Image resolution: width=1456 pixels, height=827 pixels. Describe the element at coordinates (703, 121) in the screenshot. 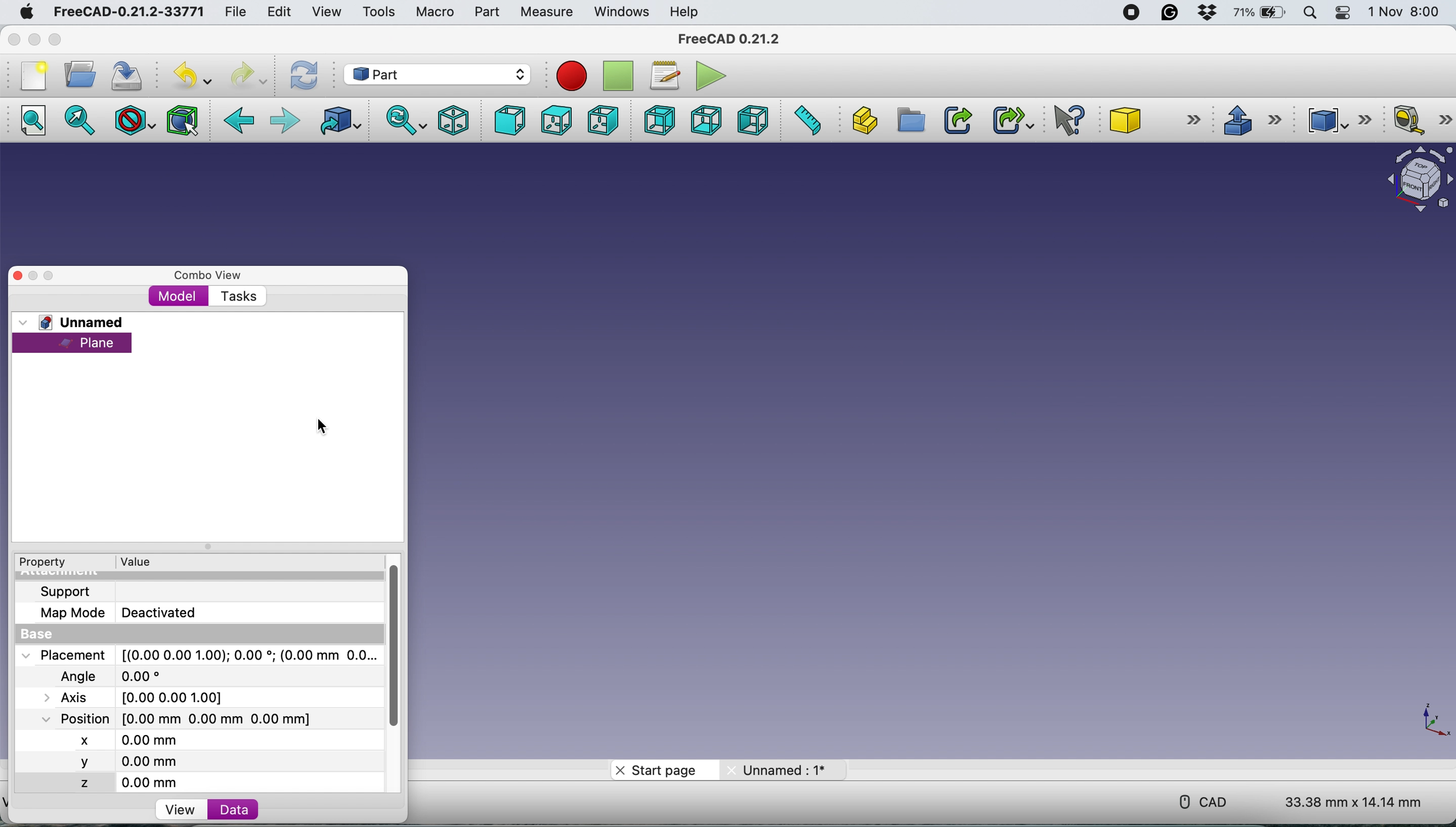

I see `bottom` at that location.